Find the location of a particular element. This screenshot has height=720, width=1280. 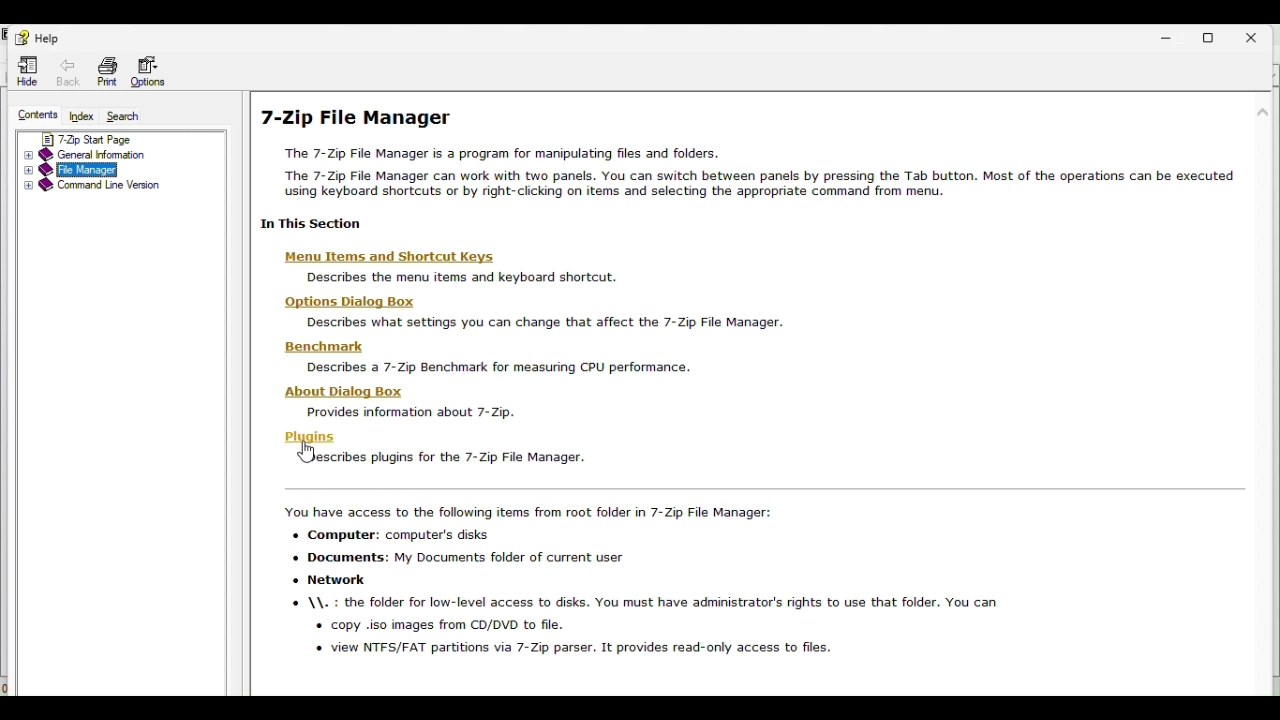

Back is located at coordinates (60, 71).